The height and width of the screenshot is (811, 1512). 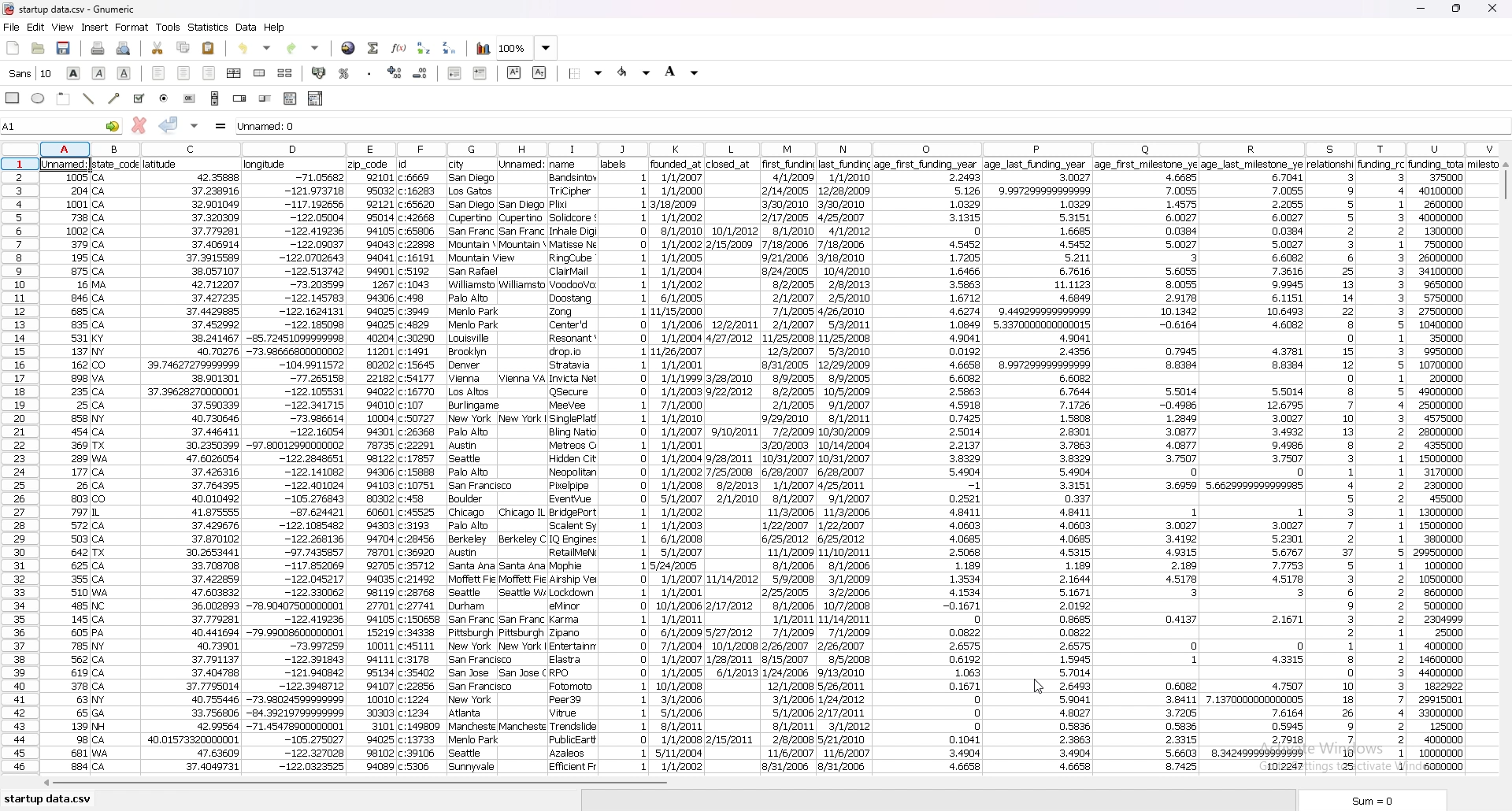 What do you see at coordinates (450, 47) in the screenshot?
I see `sort descending` at bounding box center [450, 47].